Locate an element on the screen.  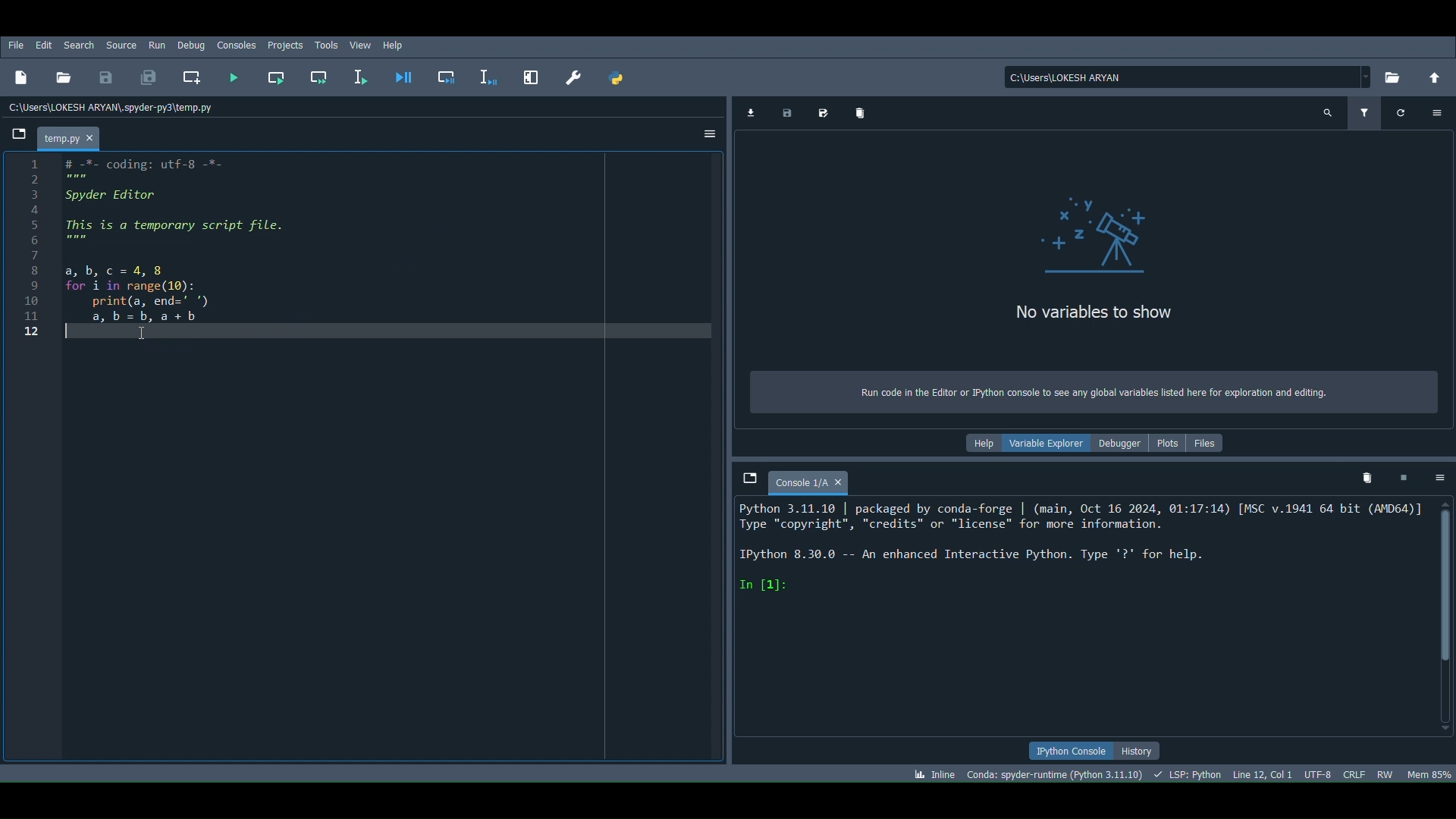
Refresh variables is located at coordinates (1402, 112).